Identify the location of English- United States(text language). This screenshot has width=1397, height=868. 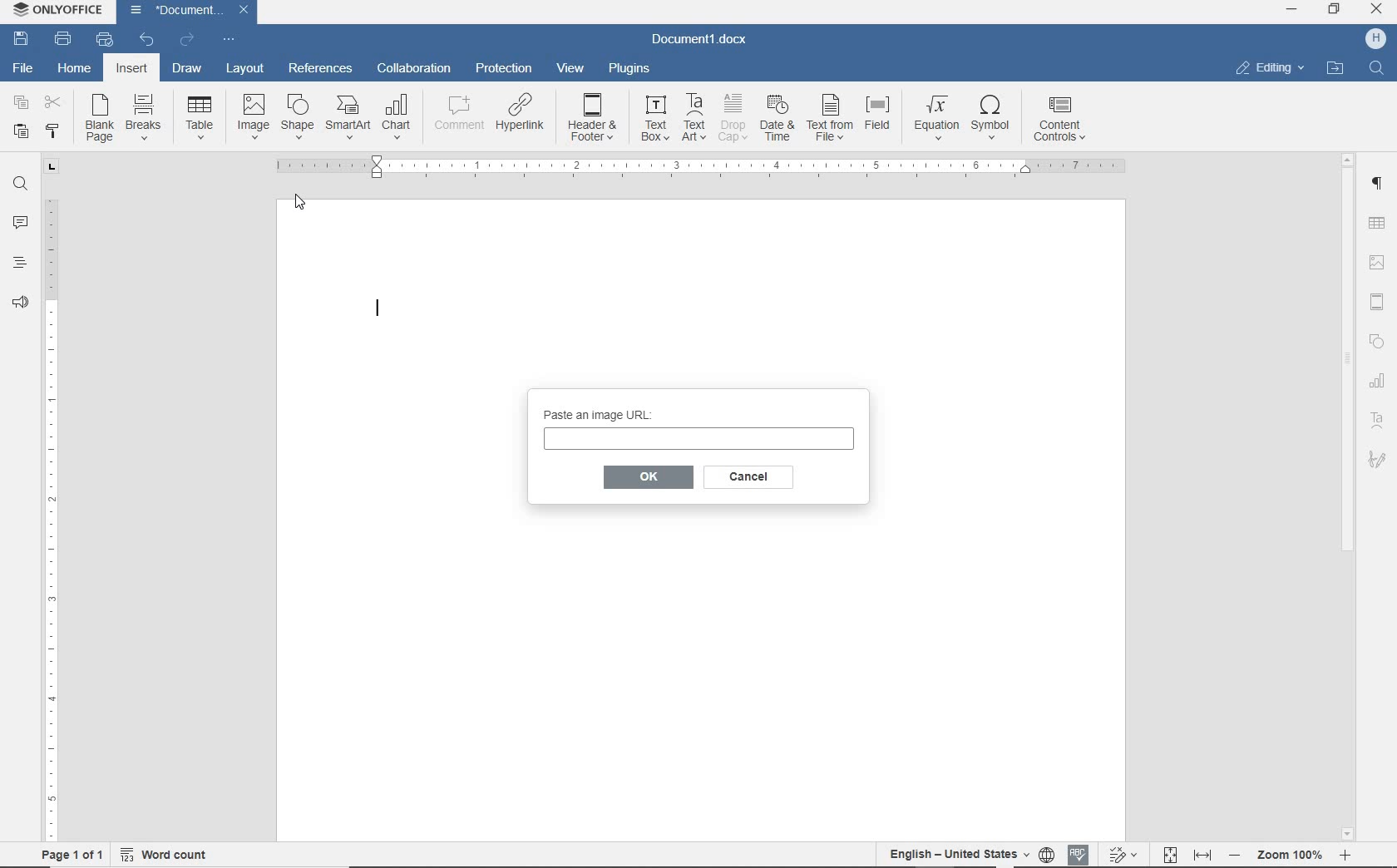
(958, 856).